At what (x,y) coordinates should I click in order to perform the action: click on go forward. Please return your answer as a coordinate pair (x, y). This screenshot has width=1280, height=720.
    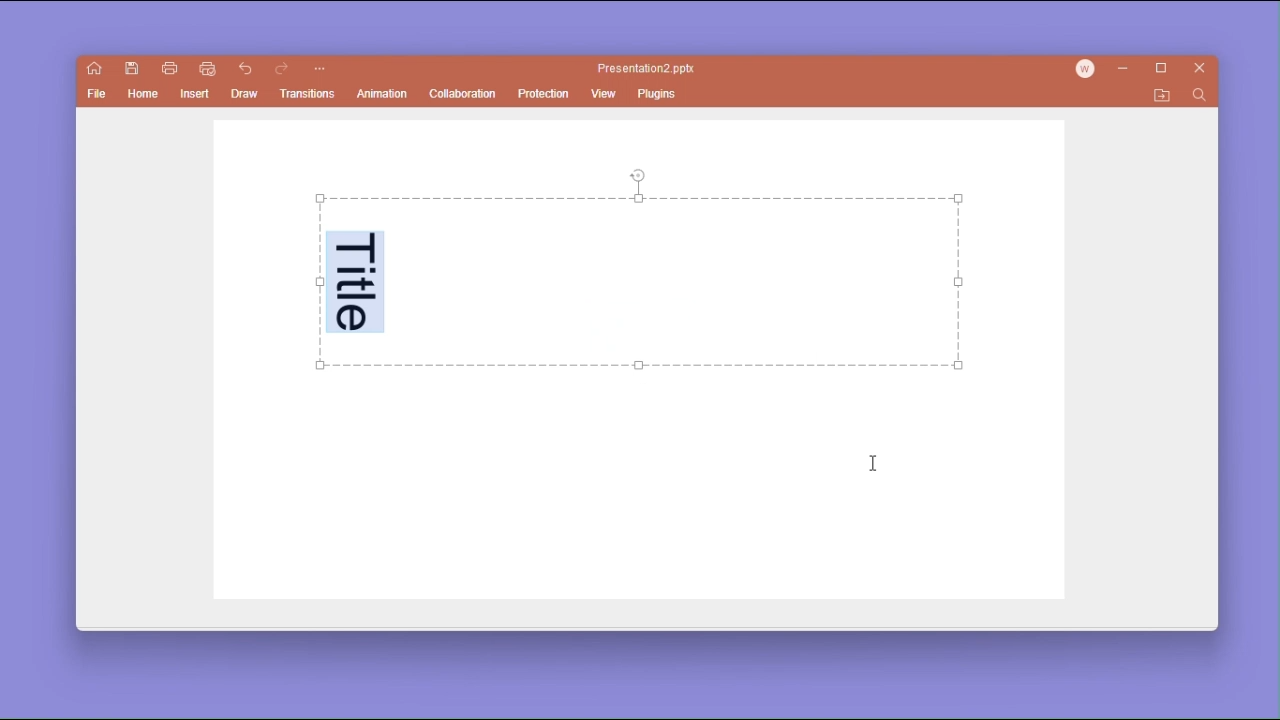
    Looking at the image, I should click on (282, 70).